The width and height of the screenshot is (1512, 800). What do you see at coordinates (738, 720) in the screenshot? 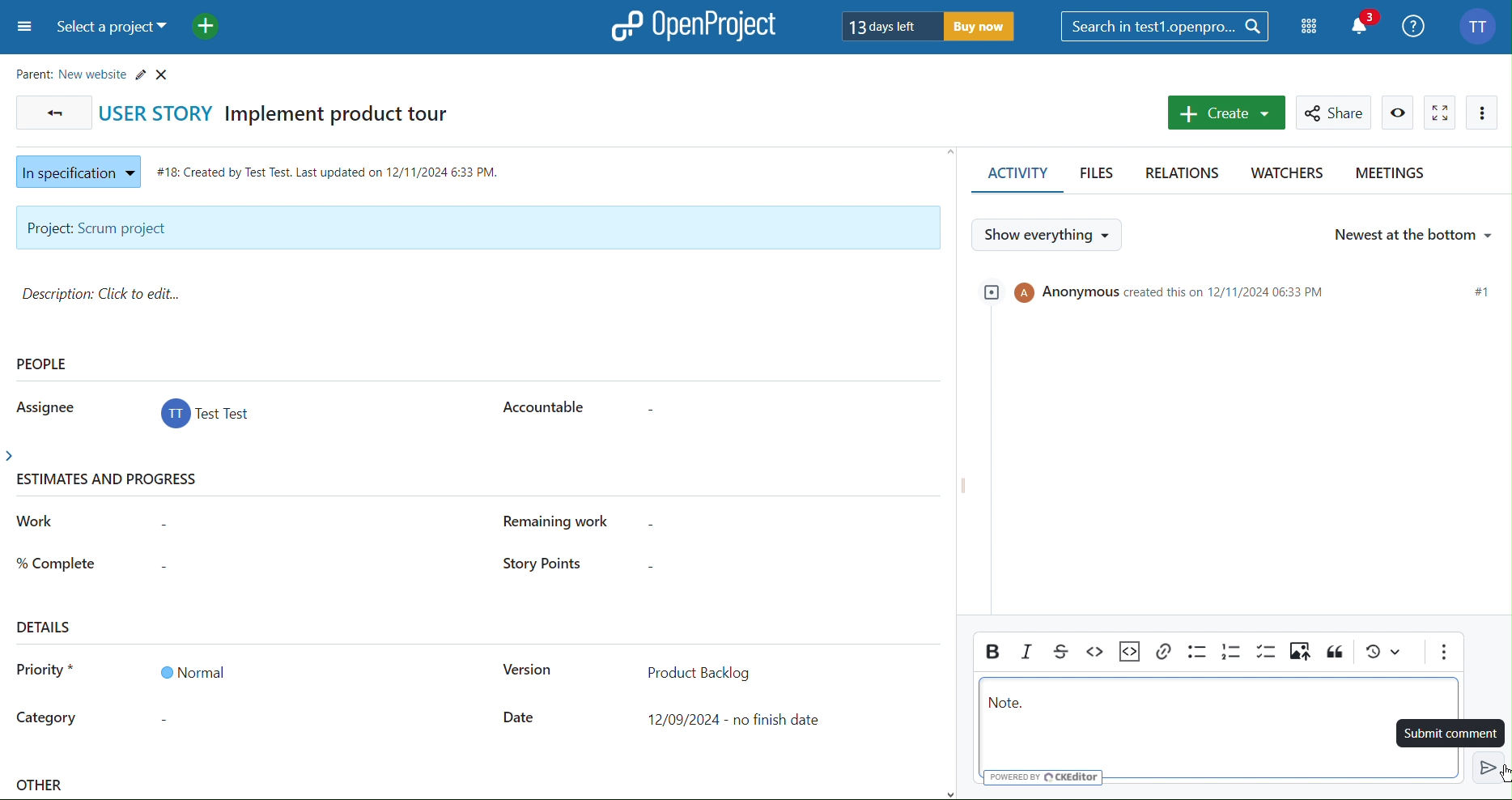
I see `12/09/2024` at bounding box center [738, 720].